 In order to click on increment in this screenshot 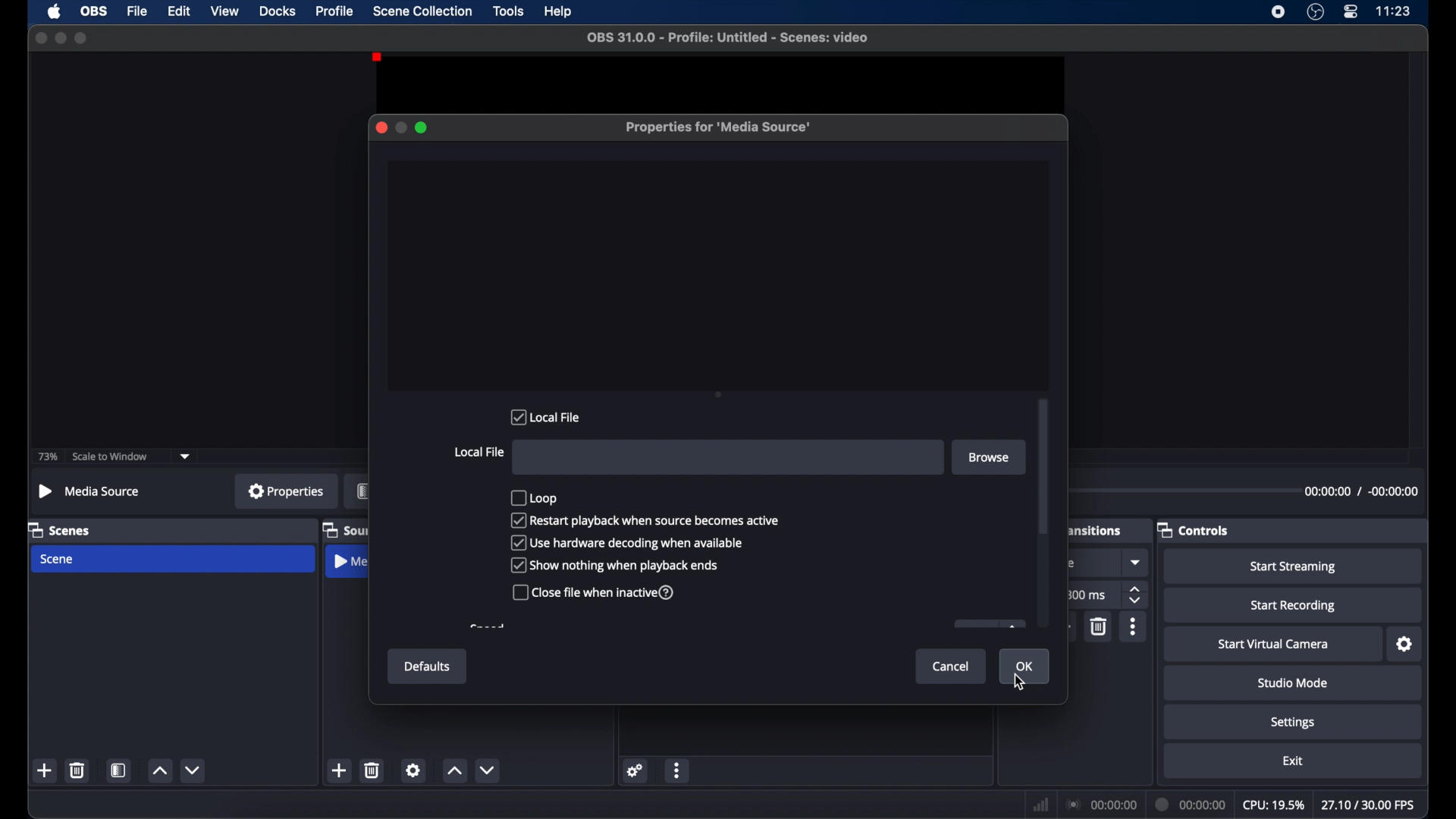, I will do `click(454, 771)`.